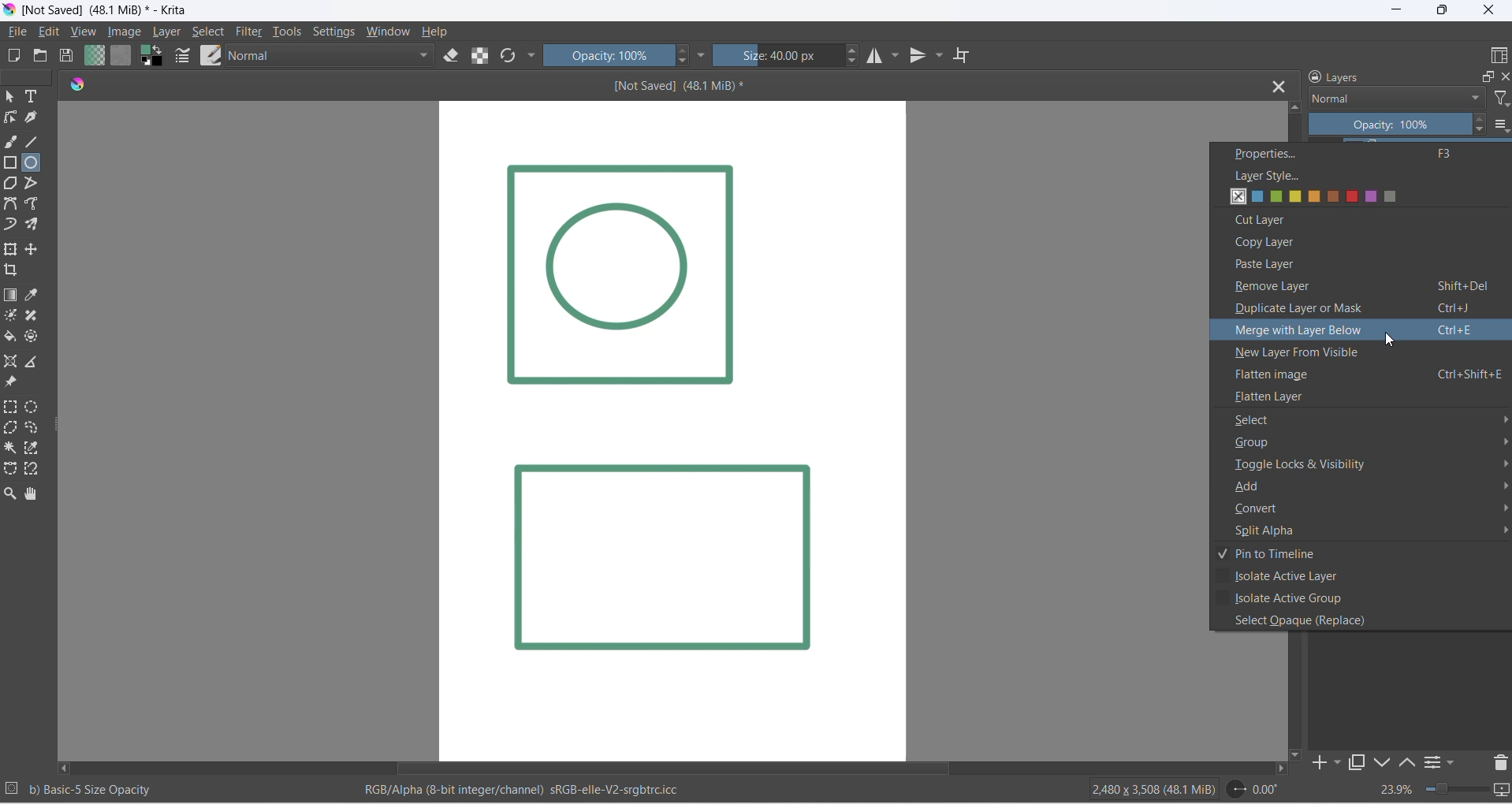  I want to click on options, so click(1429, 761).